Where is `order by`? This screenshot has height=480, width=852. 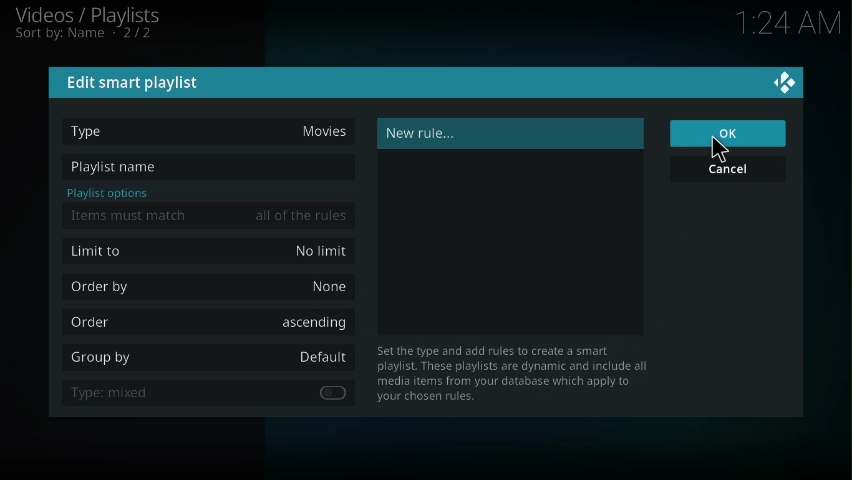 order by is located at coordinates (99, 287).